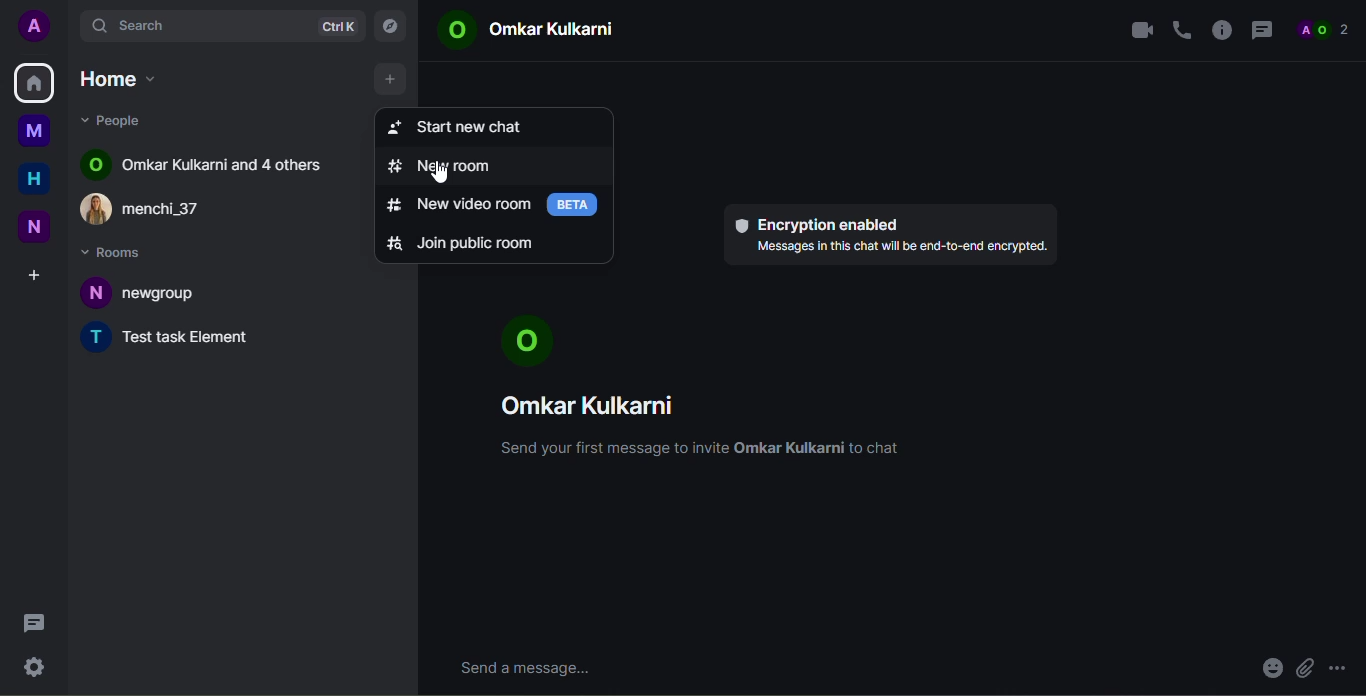 Image resolution: width=1366 pixels, height=696 pixels. I want to click on search, so click(146, 24).